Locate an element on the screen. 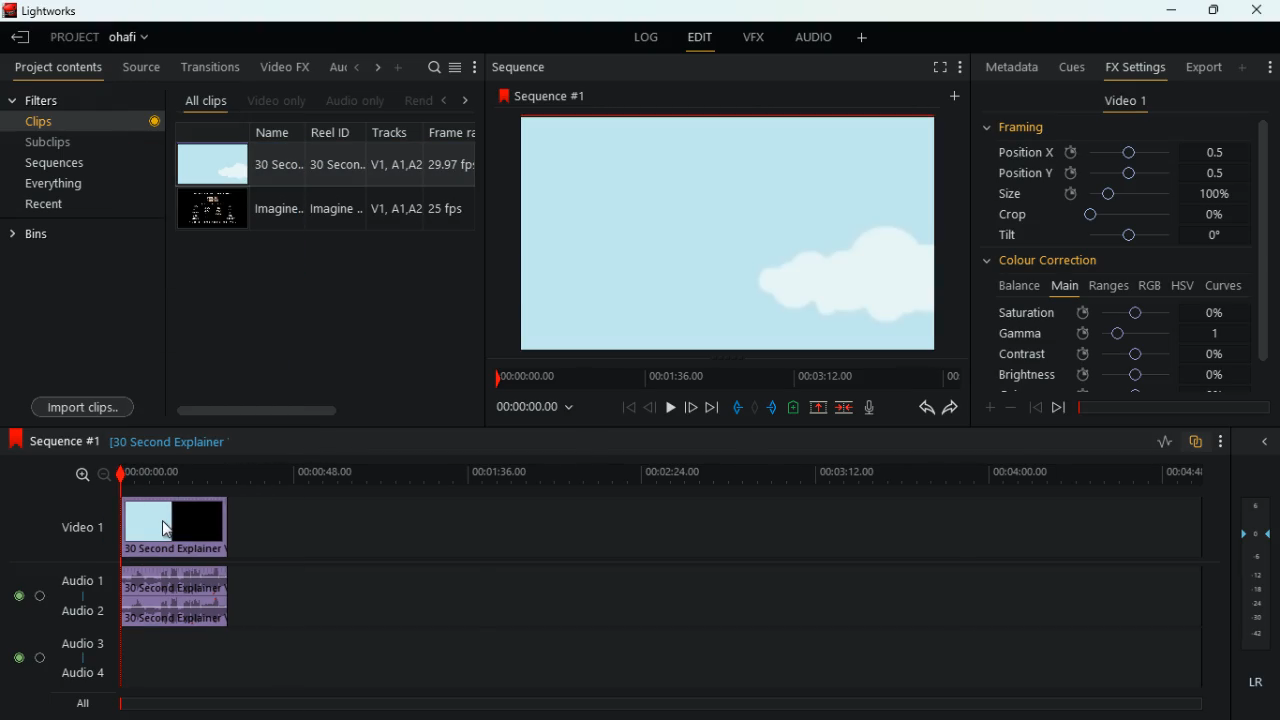 The width and height of the screenshot is (1280, 720). log is located at coordinates (643, 35).